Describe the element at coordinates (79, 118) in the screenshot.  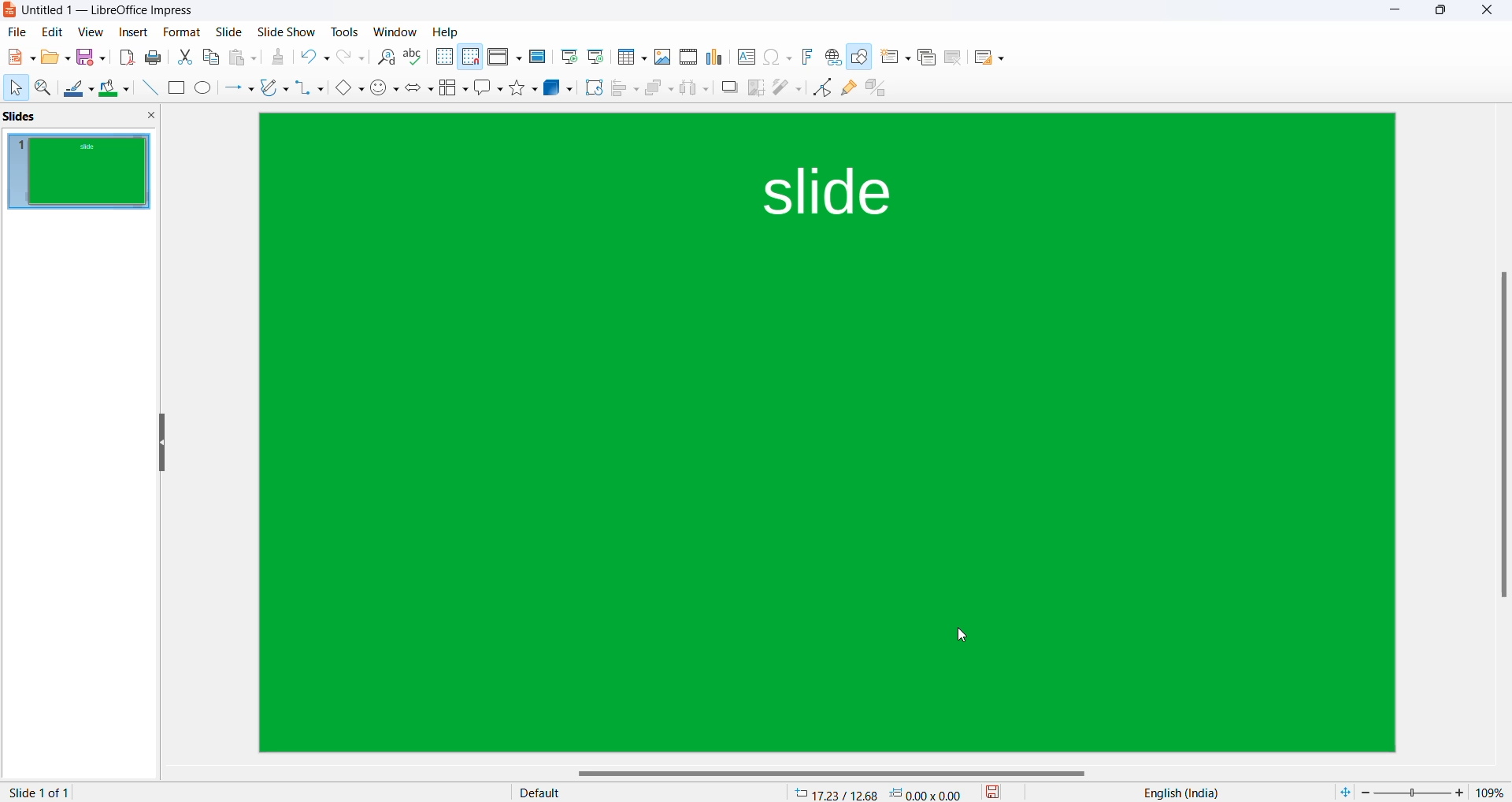
I see `slide pane` at that location.